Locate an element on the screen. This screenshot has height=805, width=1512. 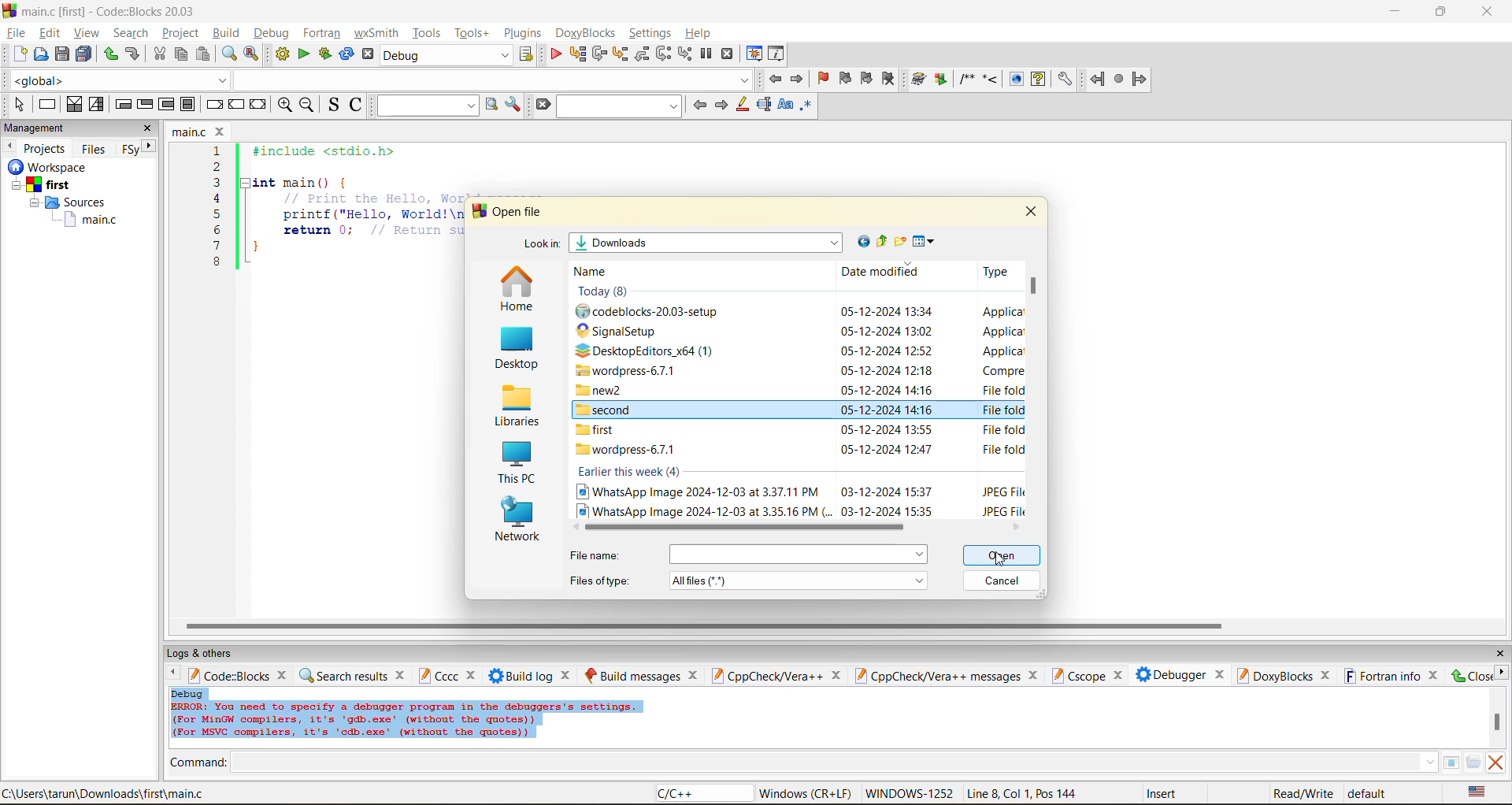
step into is located at coordinates (619, 54).